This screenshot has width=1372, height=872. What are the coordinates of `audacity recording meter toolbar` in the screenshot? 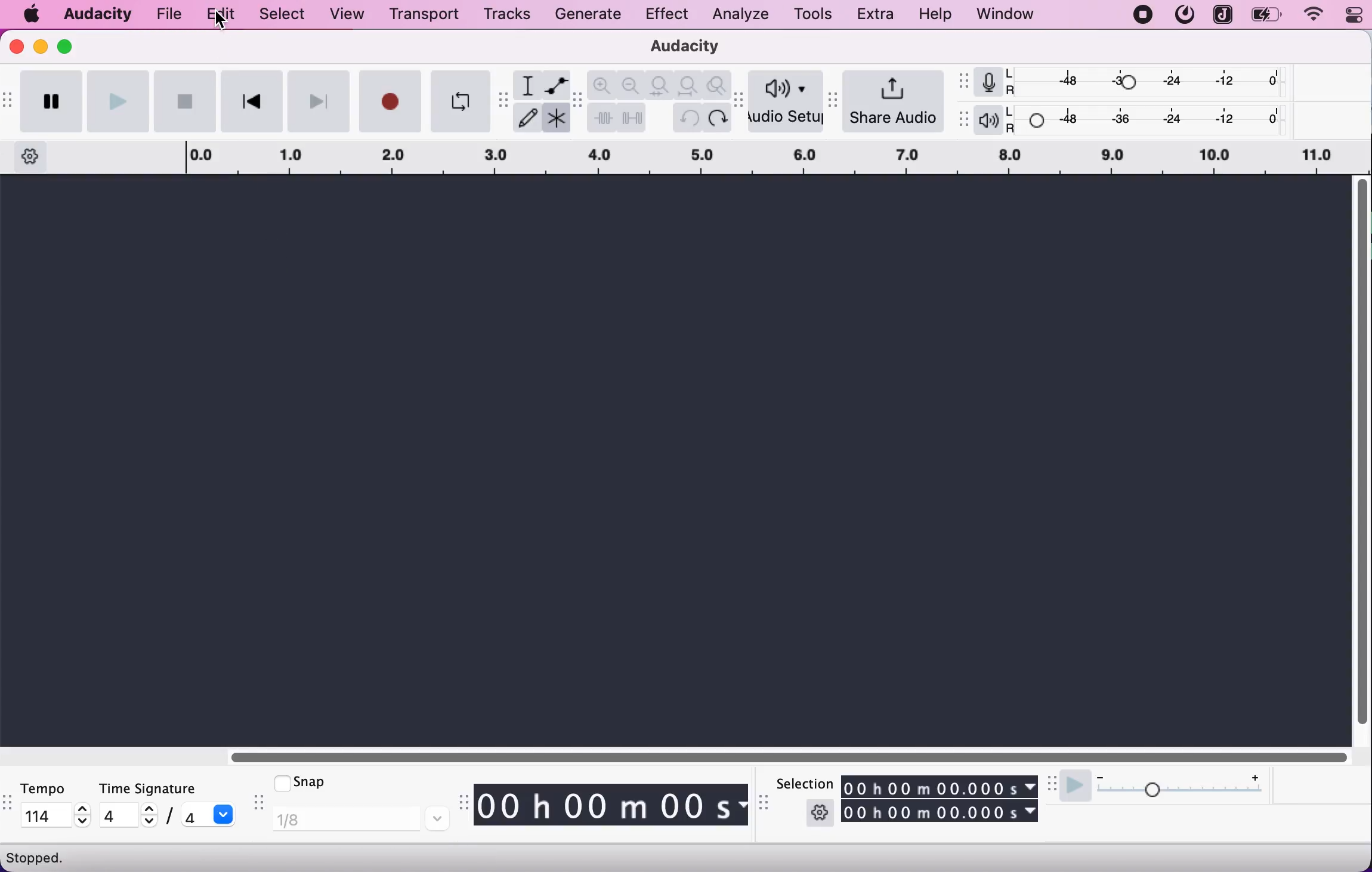 It's located at (965, 81).